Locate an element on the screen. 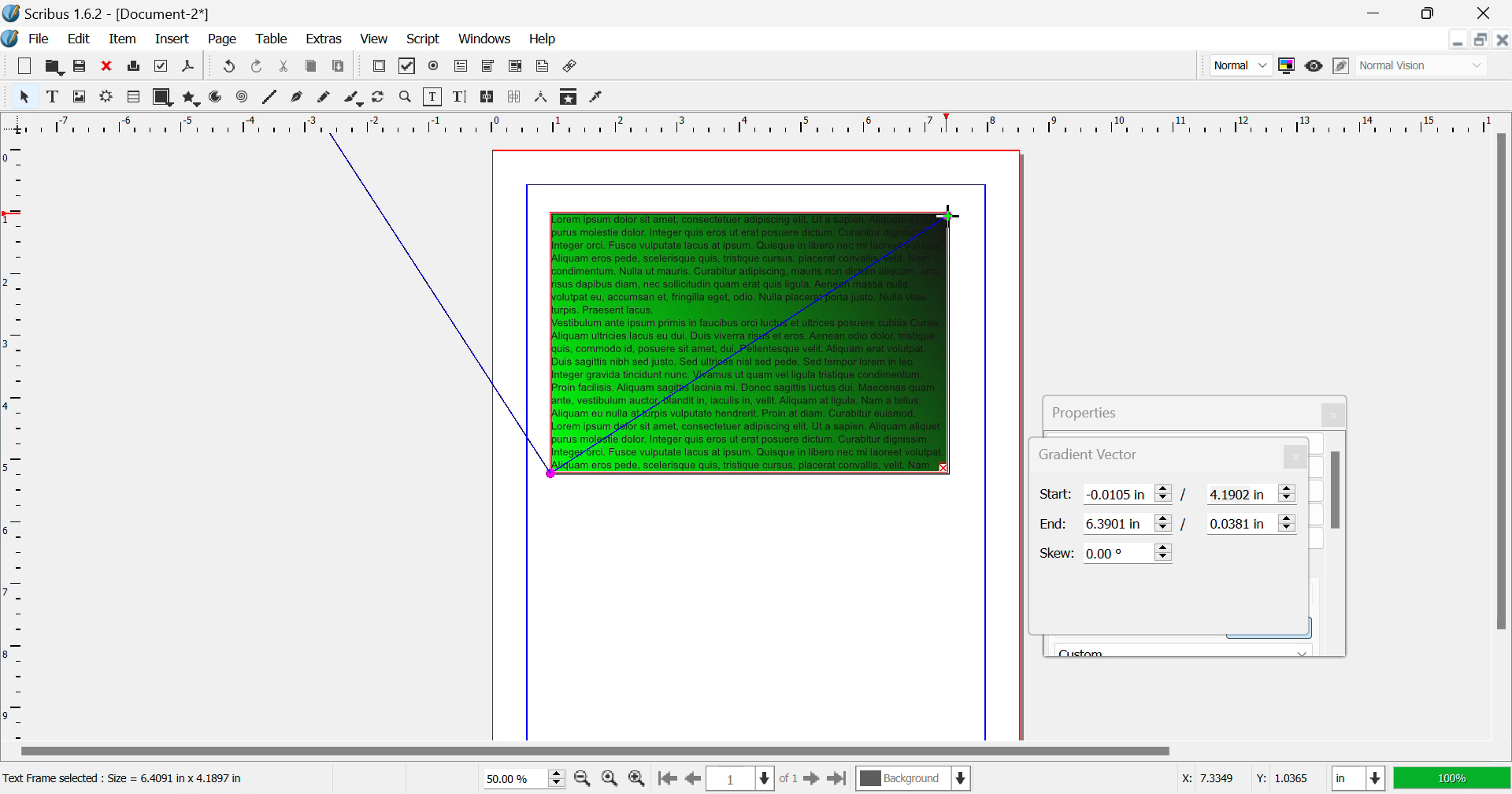 The width and height of the screenshot is (1512, 794). Edit Text with Story Editor is located at coordinates (460, 97).